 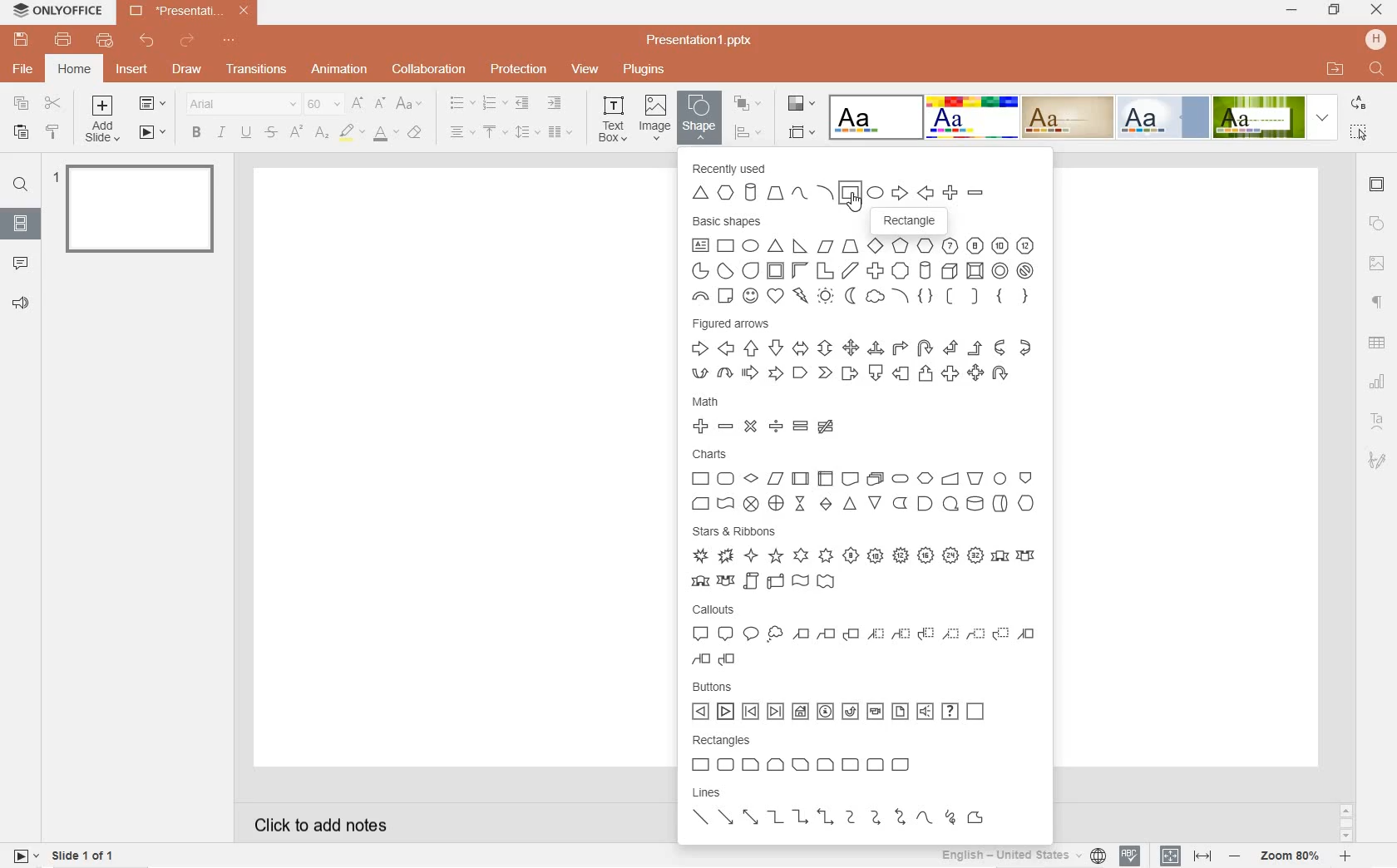 What do you see at coordinates (560, 131) in the screenshot?
I see `insert columns` at bounding box center [560, 131].